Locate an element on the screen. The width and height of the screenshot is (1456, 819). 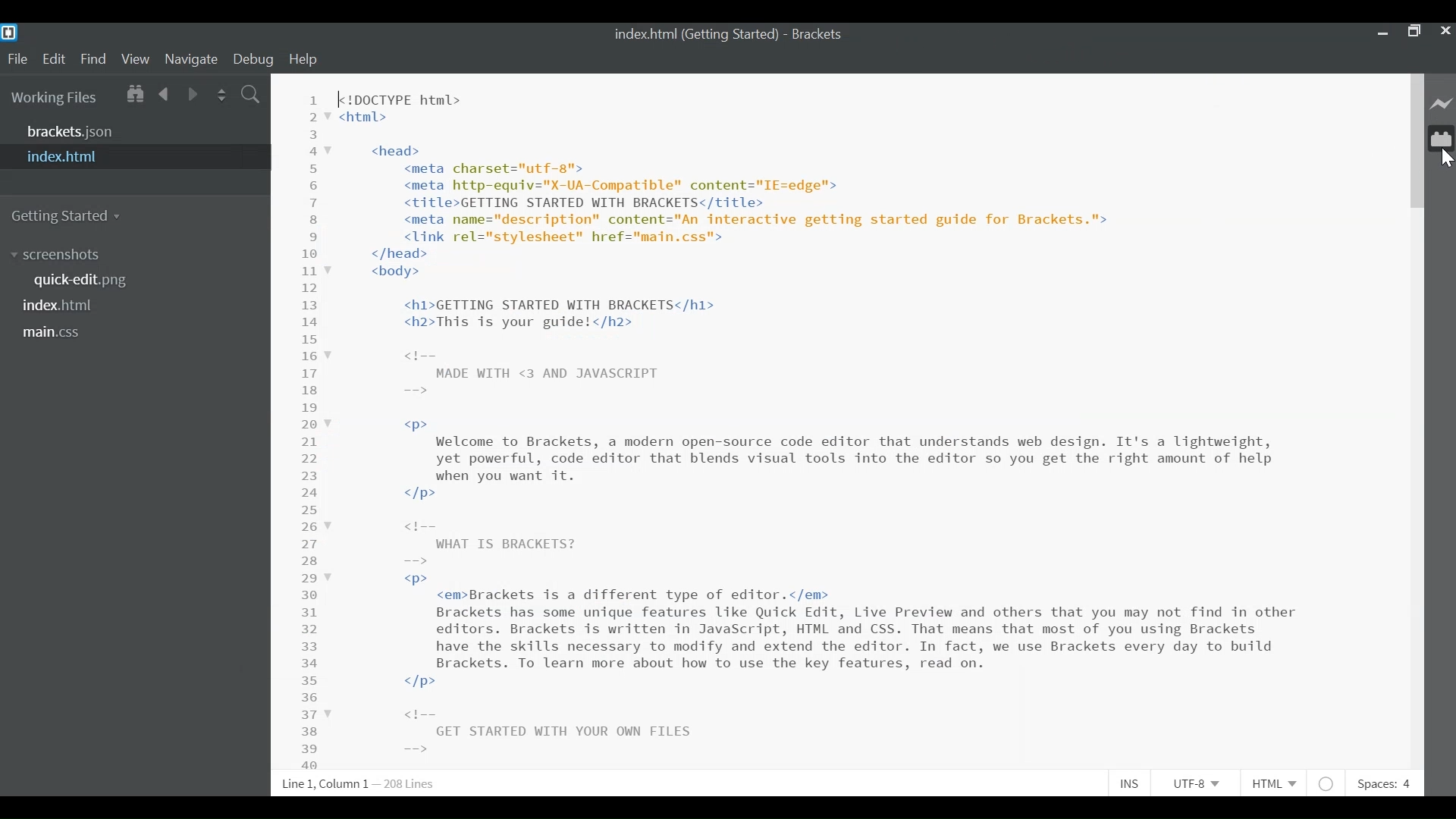
Close is located at coordinates (1445, 33).